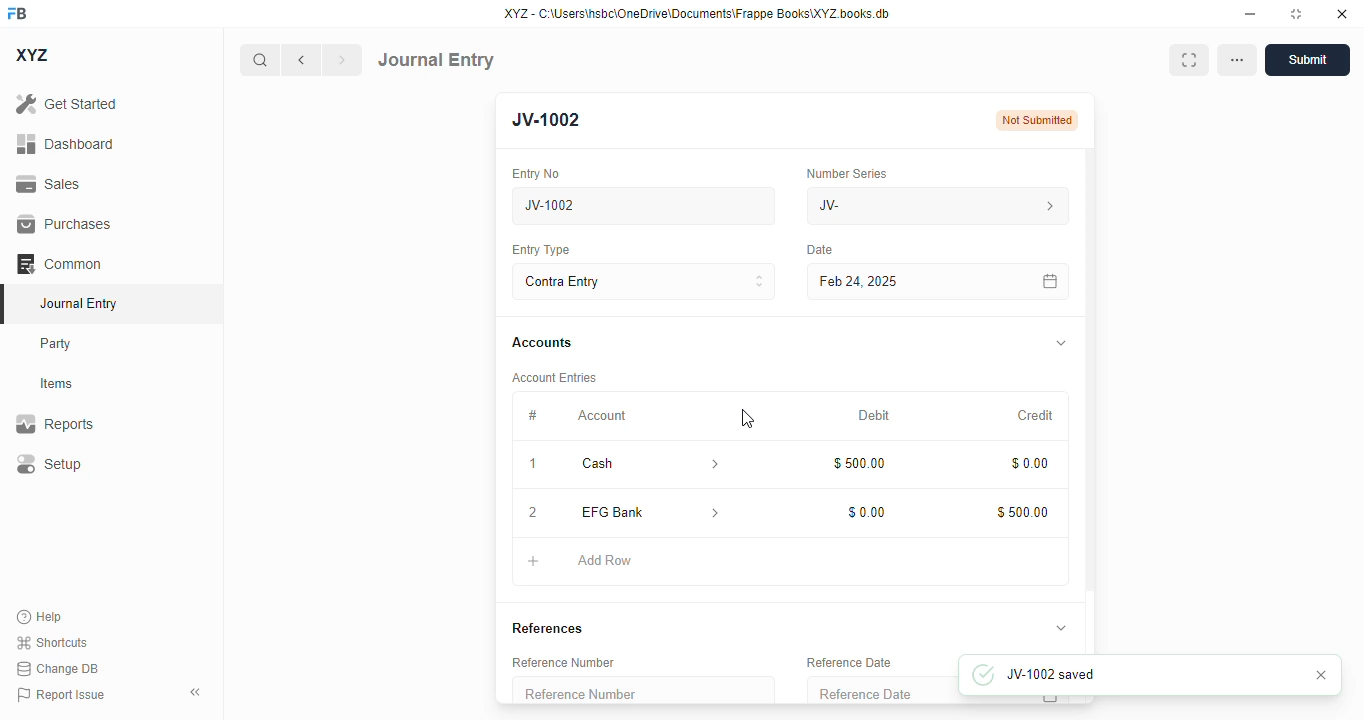 The width and height of the screenshot is (1364, 720). What do you see at coordinates (1121, 674) in the screenshot?
I see `JV-1002 saved` at bounding box center [1121, 674].